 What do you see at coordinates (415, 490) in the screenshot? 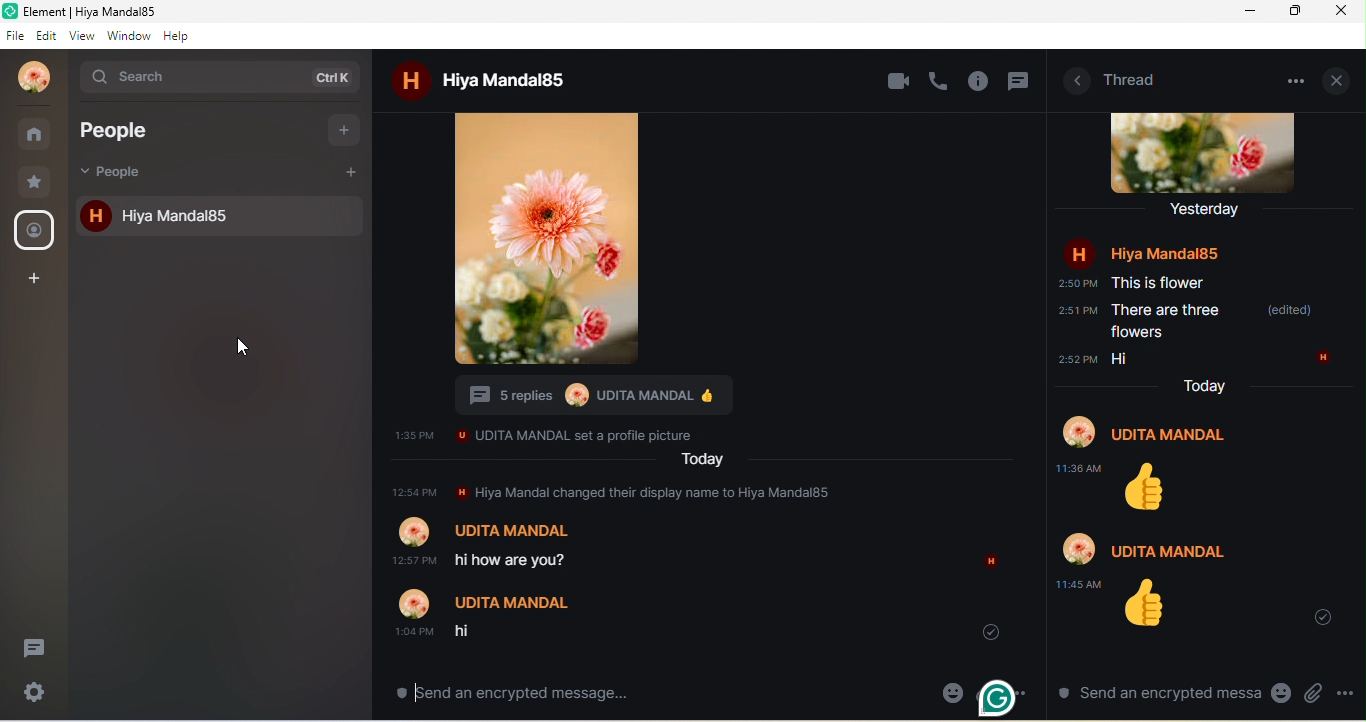
I see `12:57 PM` at bounding box center [415, 490].